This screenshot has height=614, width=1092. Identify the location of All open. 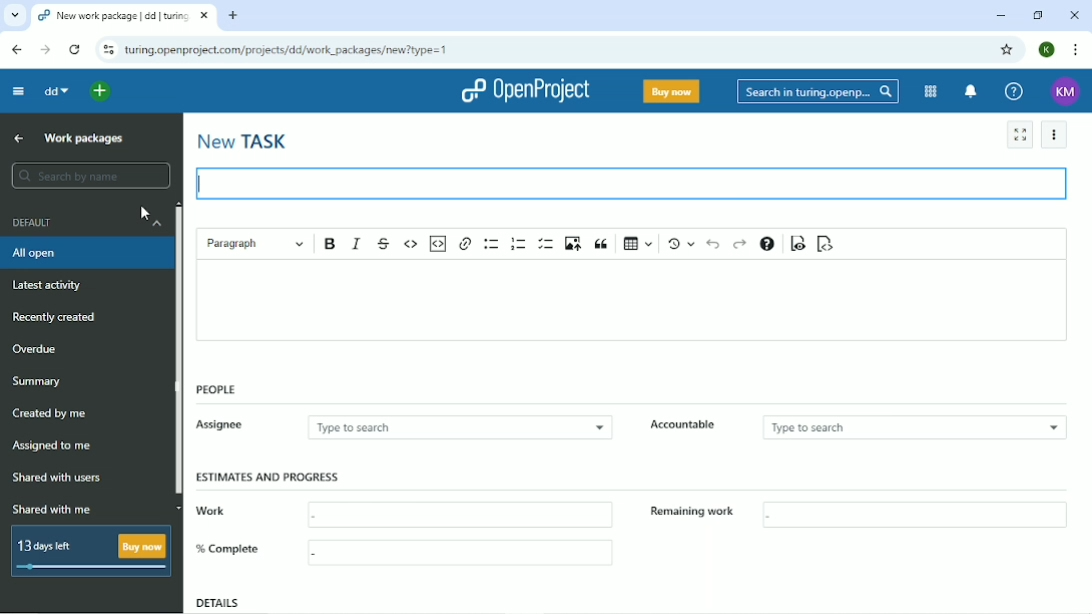
(38, 254).